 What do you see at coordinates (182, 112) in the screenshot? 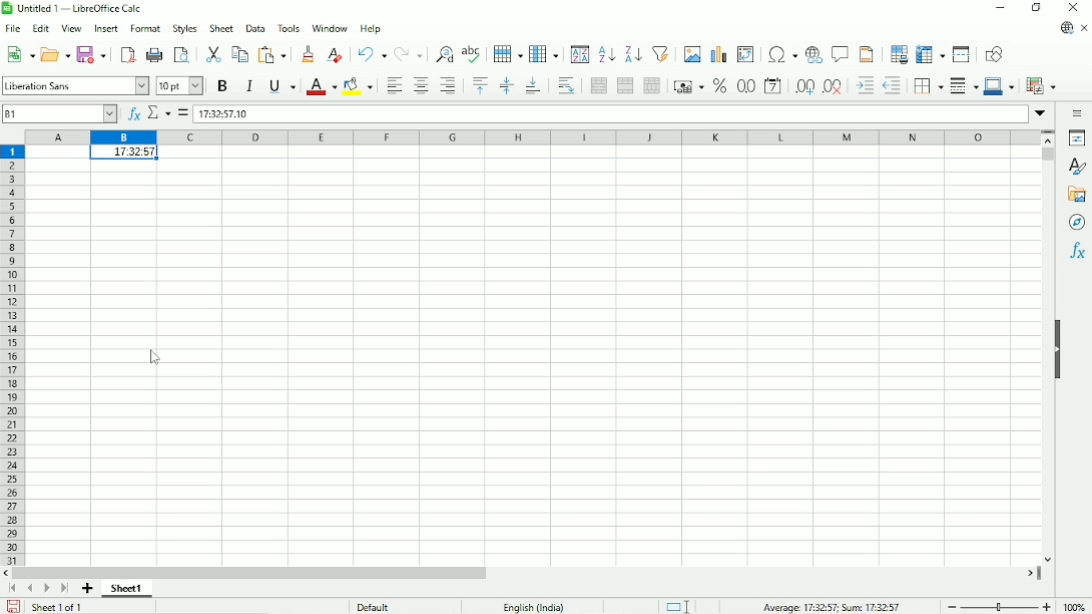
I see `Formula` at bounding box center [182, 112].